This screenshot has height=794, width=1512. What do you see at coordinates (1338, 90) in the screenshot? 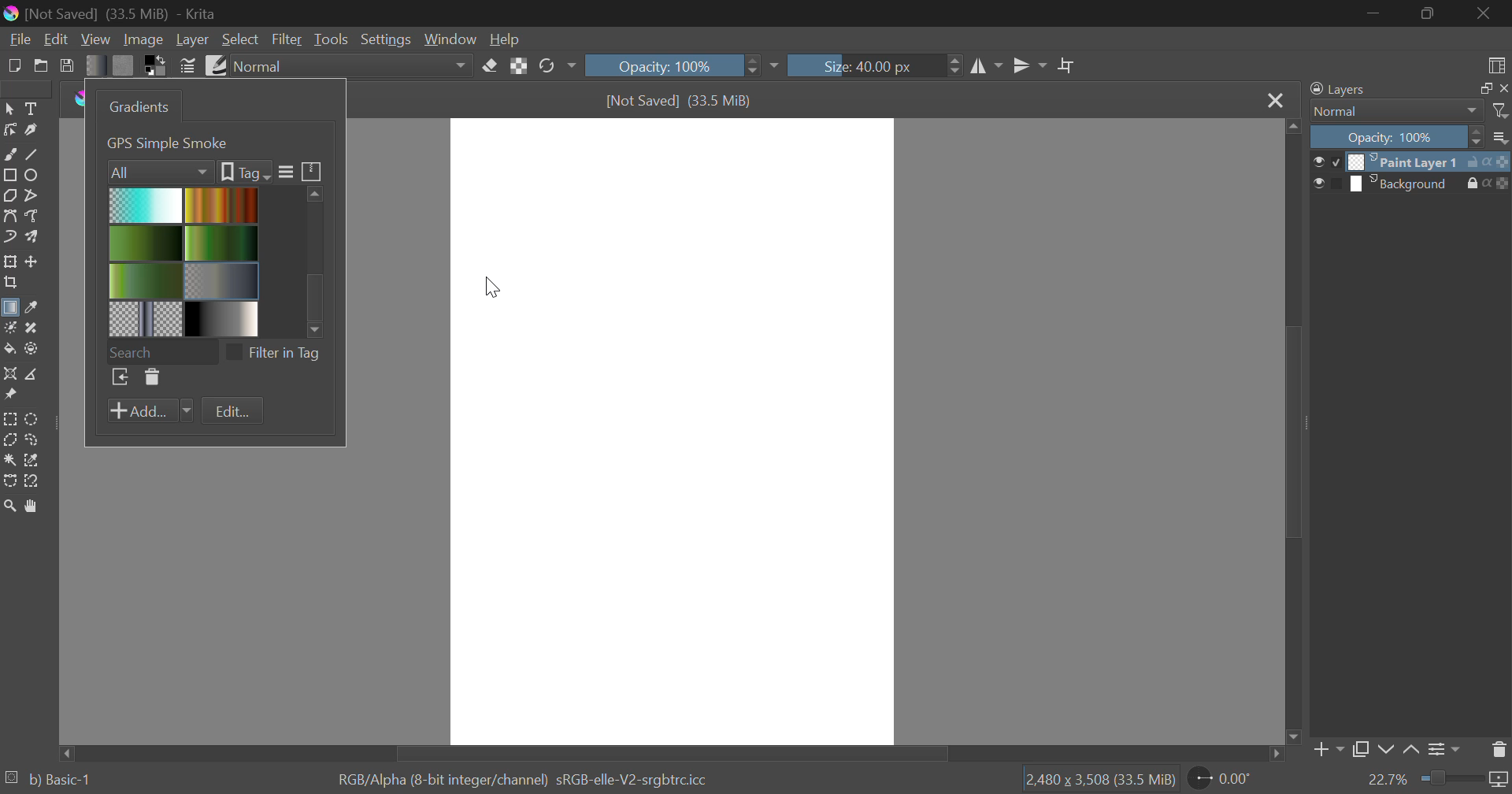
I see `Layers` at bounding box center [1338, 90].